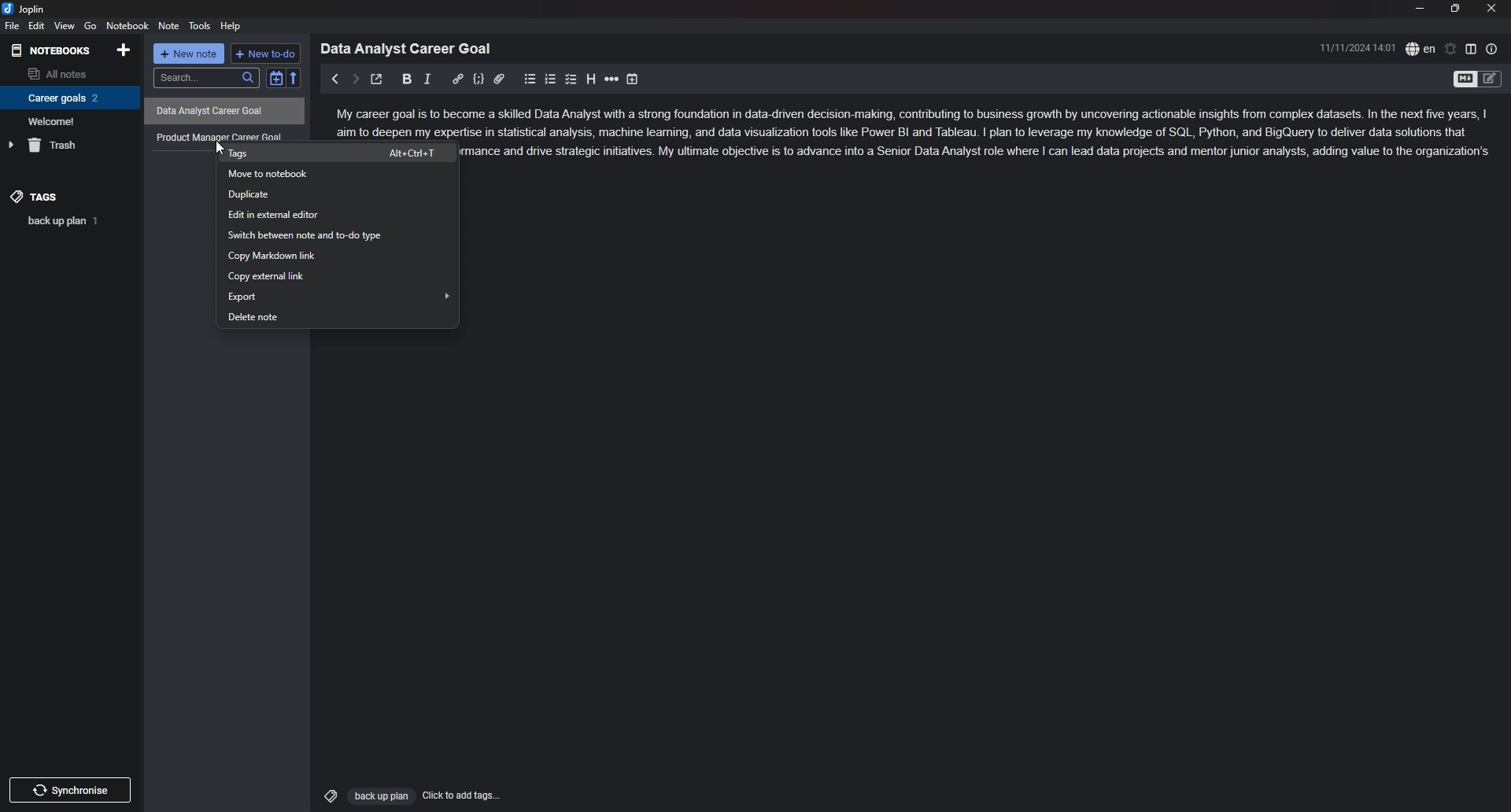  Describe the element at coordinates (65, 26) in the screenshot. I see `view` at that location.